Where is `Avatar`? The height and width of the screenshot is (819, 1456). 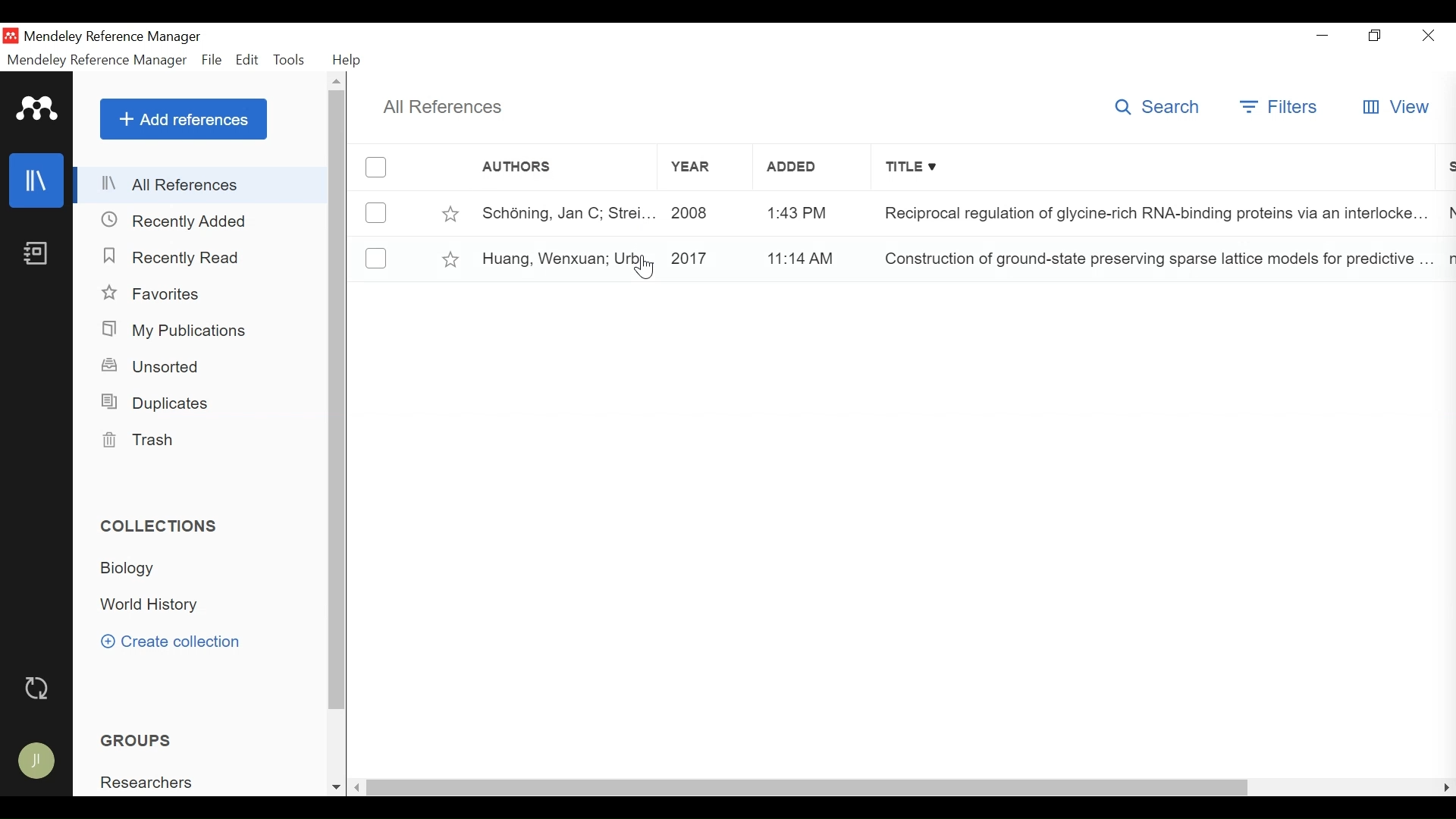
Avatar is located at coordinates (37, 761).